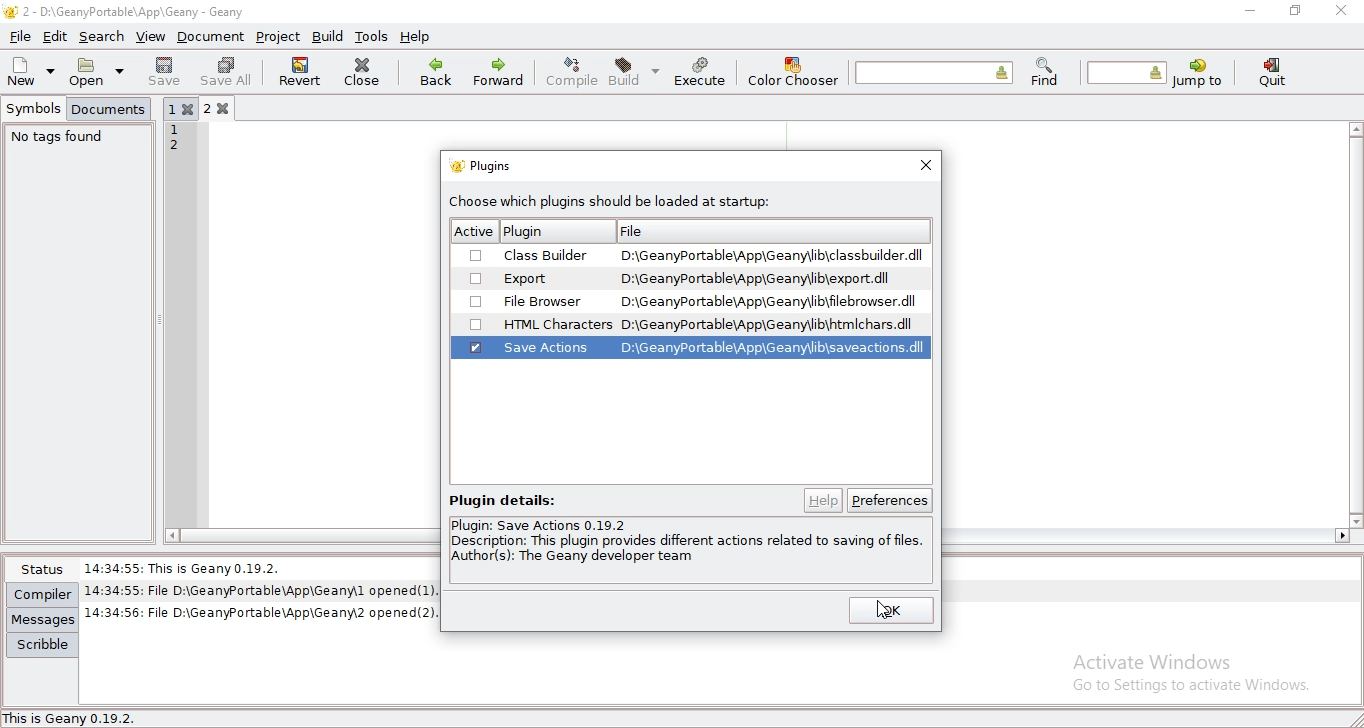 The width and height of the screenshot is (1364, 728). Describe the element at coordinates (1276, 73) in the screenshot. I see `quit` at that location.